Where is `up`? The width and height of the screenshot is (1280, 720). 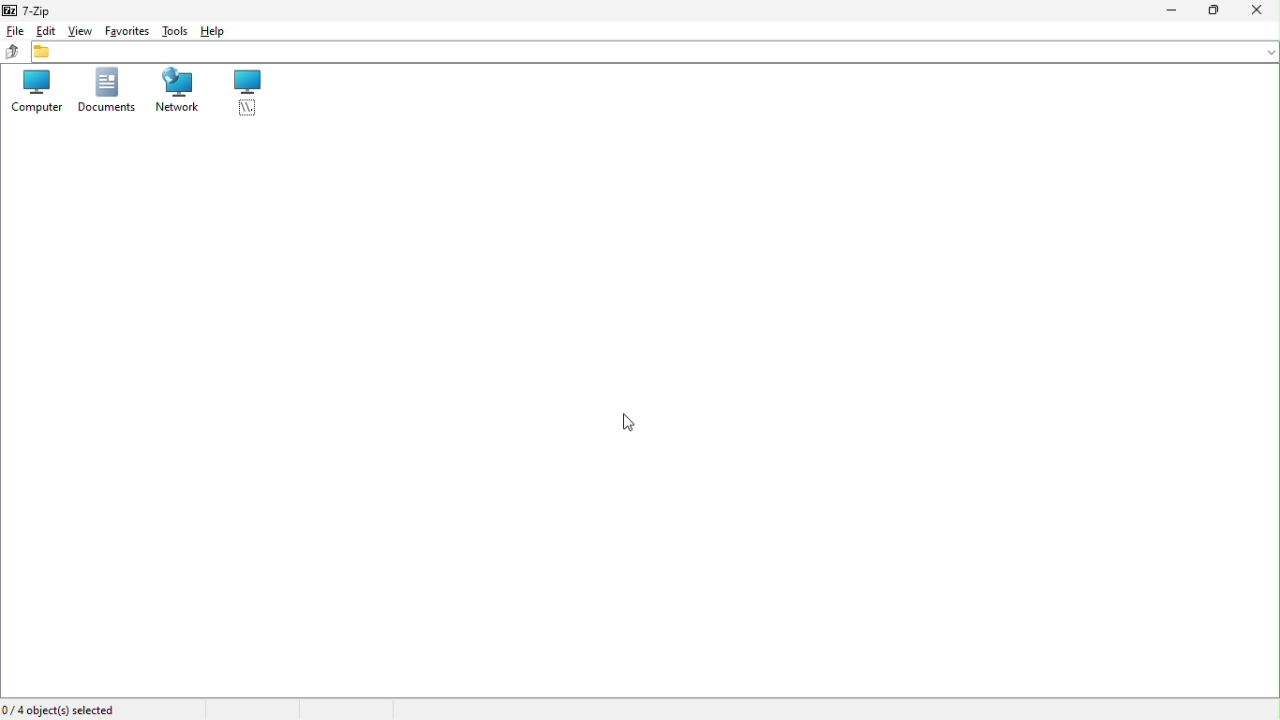 up is located at coordinates (10, 53).